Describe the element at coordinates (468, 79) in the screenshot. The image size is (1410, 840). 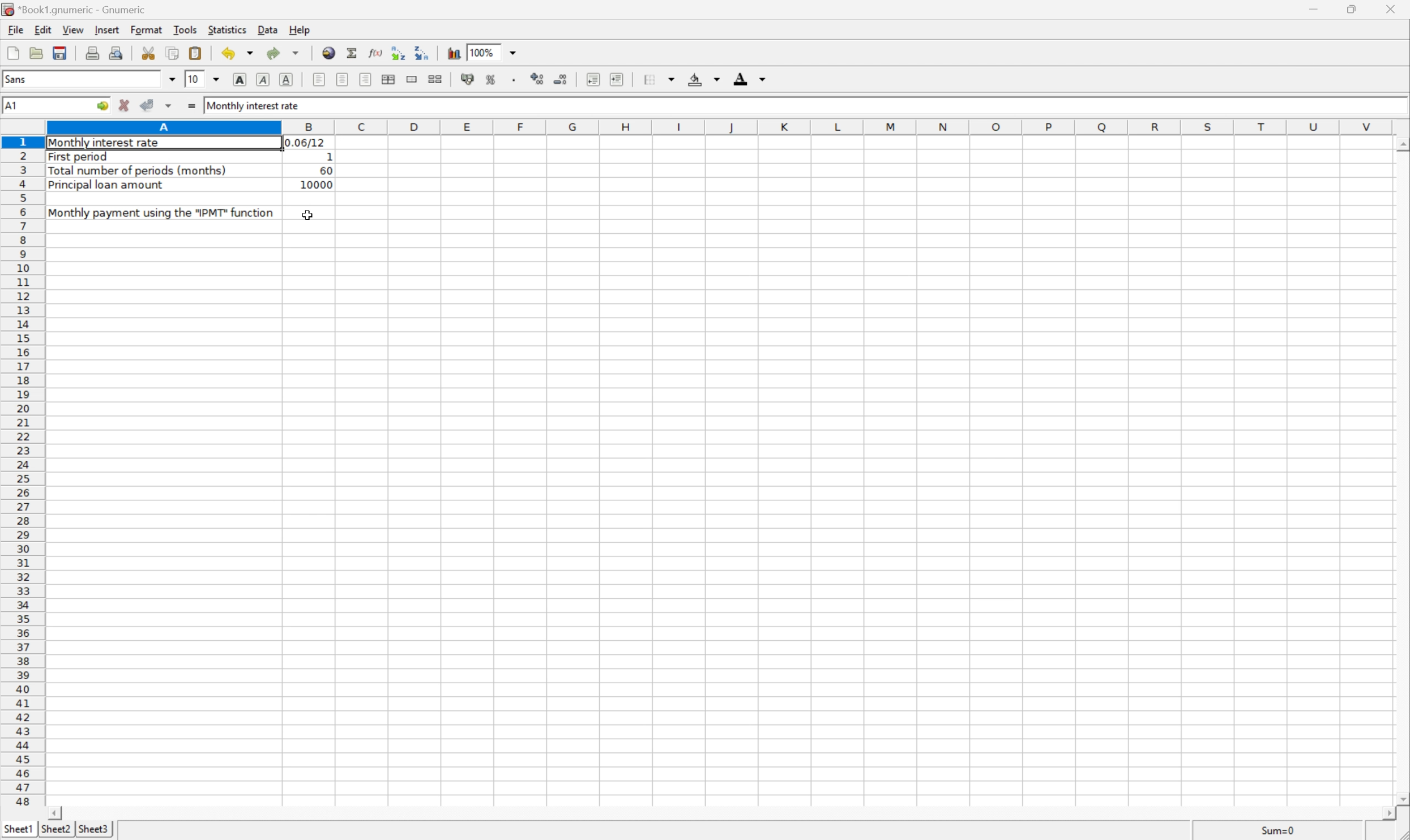
I see `Format the selection as accounting` at that location.